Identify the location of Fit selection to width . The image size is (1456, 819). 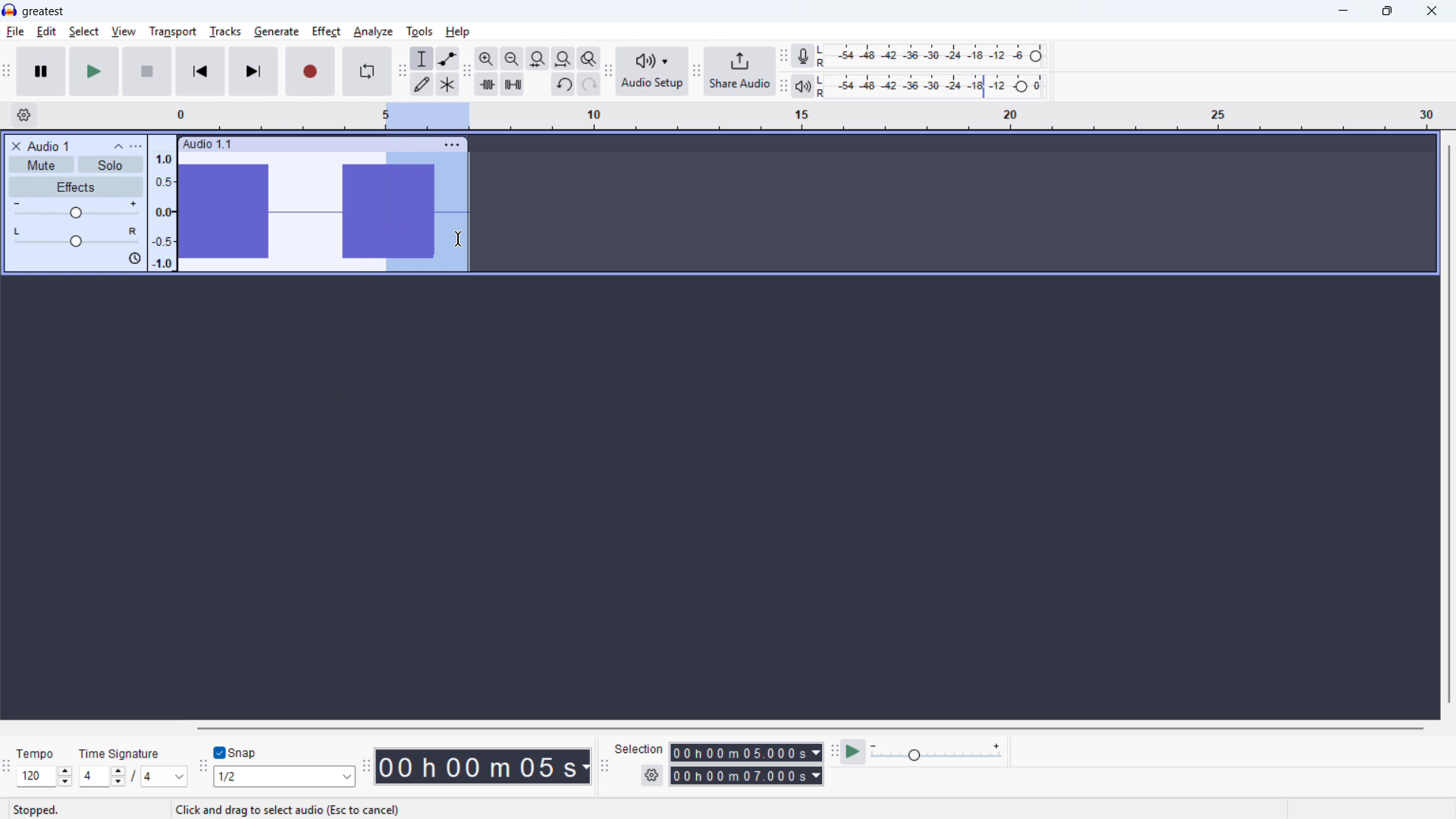
(538, 59).